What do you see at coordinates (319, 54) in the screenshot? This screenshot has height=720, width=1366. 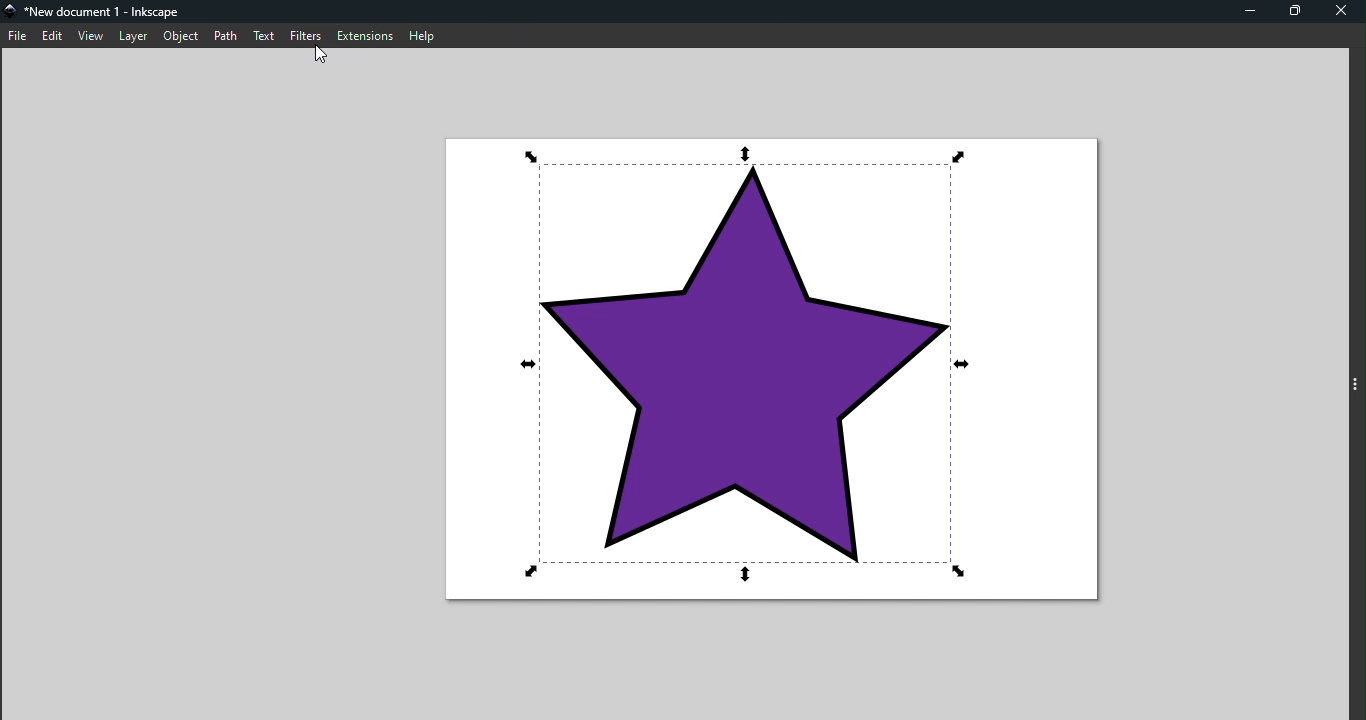 I see `Cursor` at bounding box center [319, 54].